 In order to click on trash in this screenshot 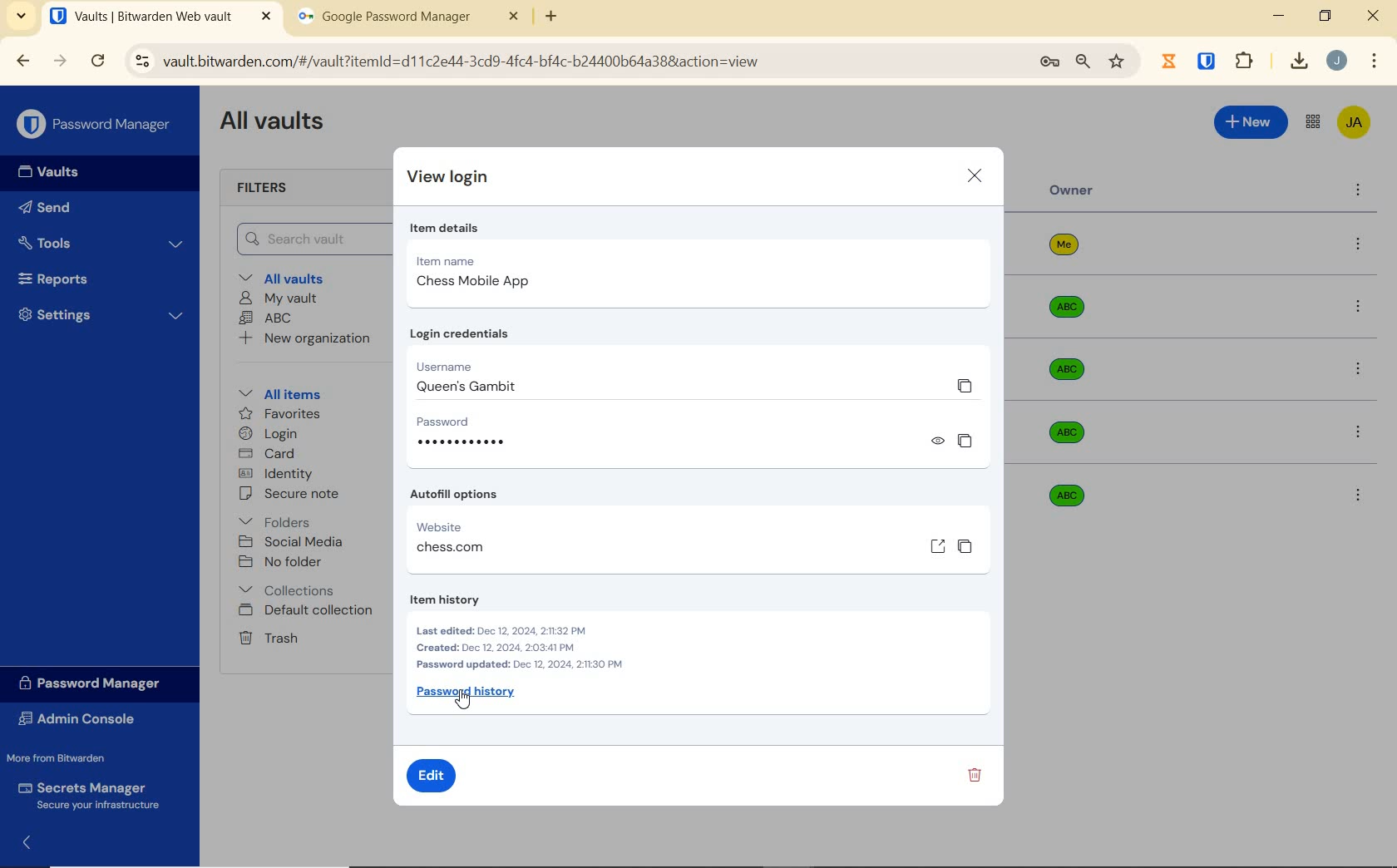, I will do `click(270, 638)`.